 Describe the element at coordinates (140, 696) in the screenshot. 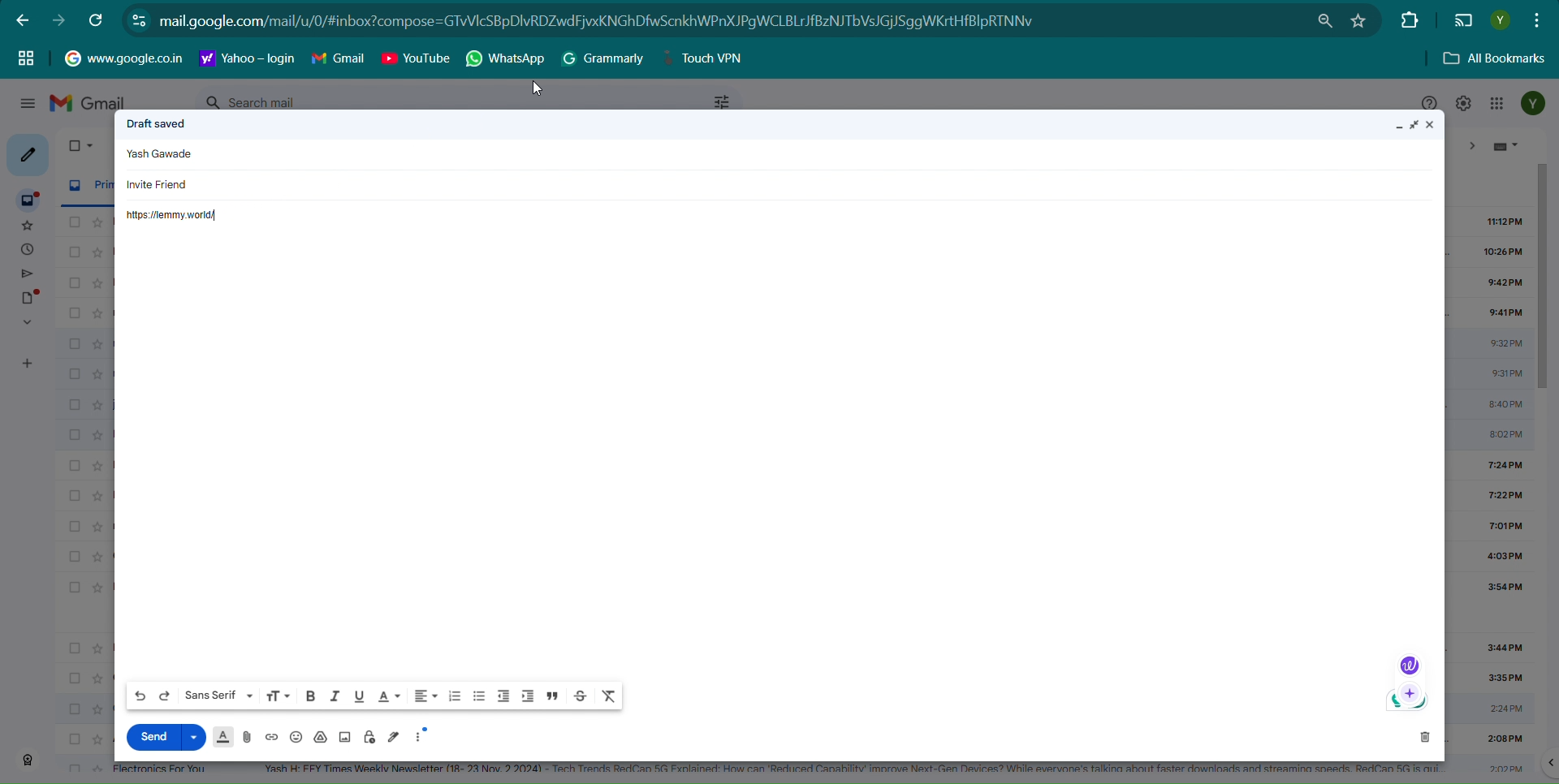

I see `Undo` at that location.